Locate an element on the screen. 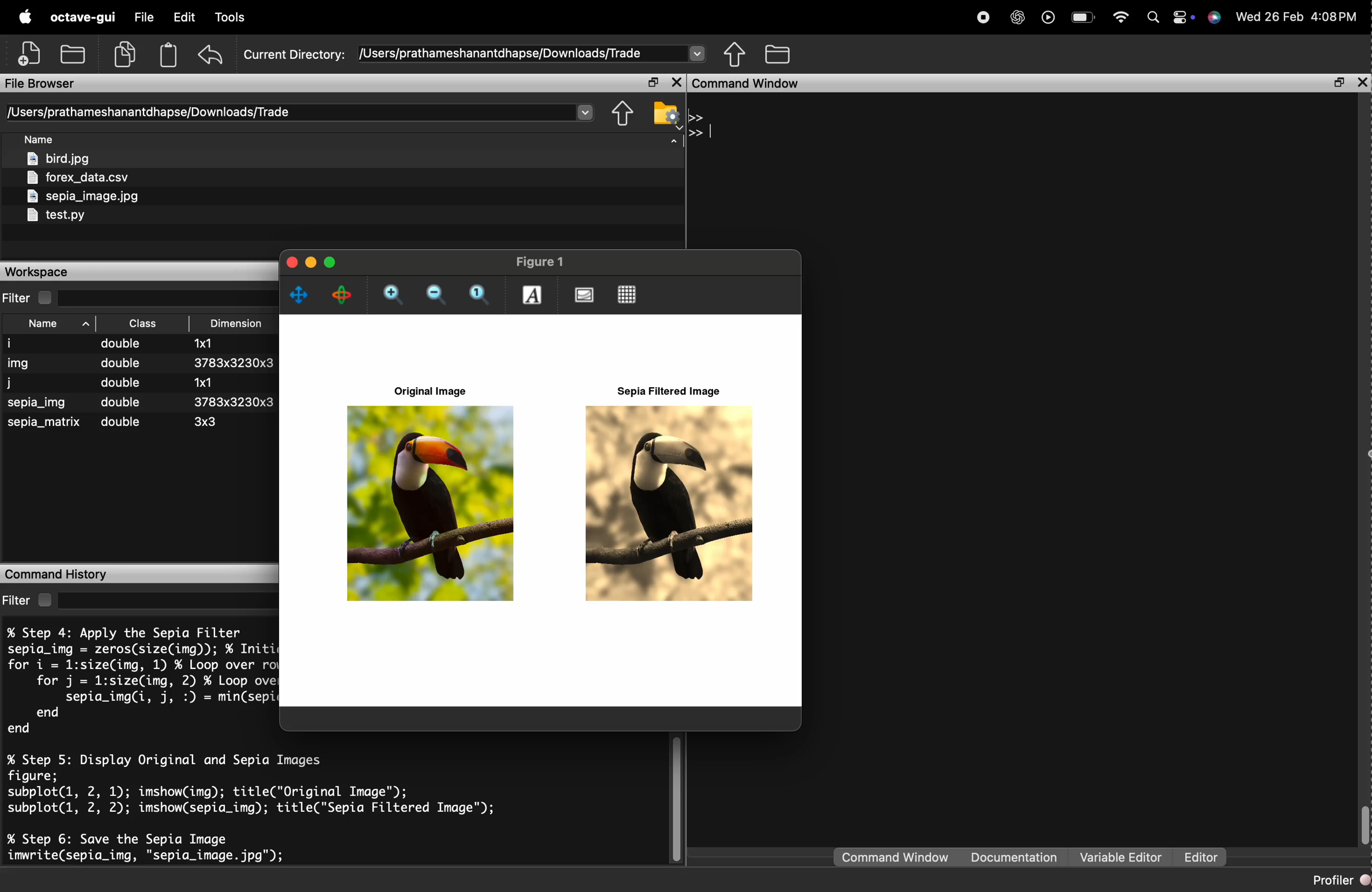 Image resolution: width=1372 pixels, height=892 pixels. j double 1x1 is located at coordinates (112, 381).